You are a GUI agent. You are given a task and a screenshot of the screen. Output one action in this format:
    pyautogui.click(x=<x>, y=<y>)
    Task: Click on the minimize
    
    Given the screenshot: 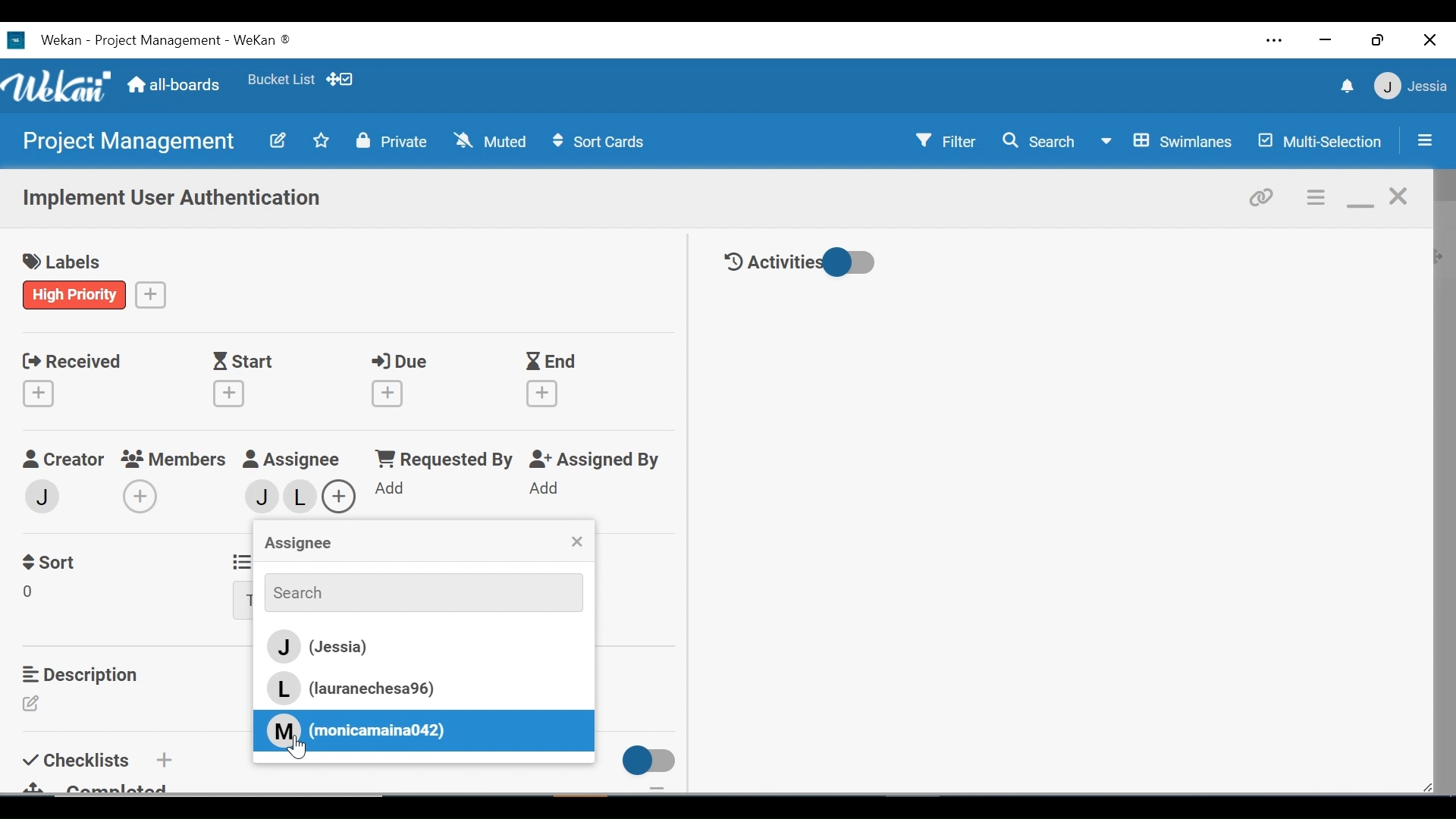 What is the action you would take?
    pyautogui.click(x=1360, y=199)
    